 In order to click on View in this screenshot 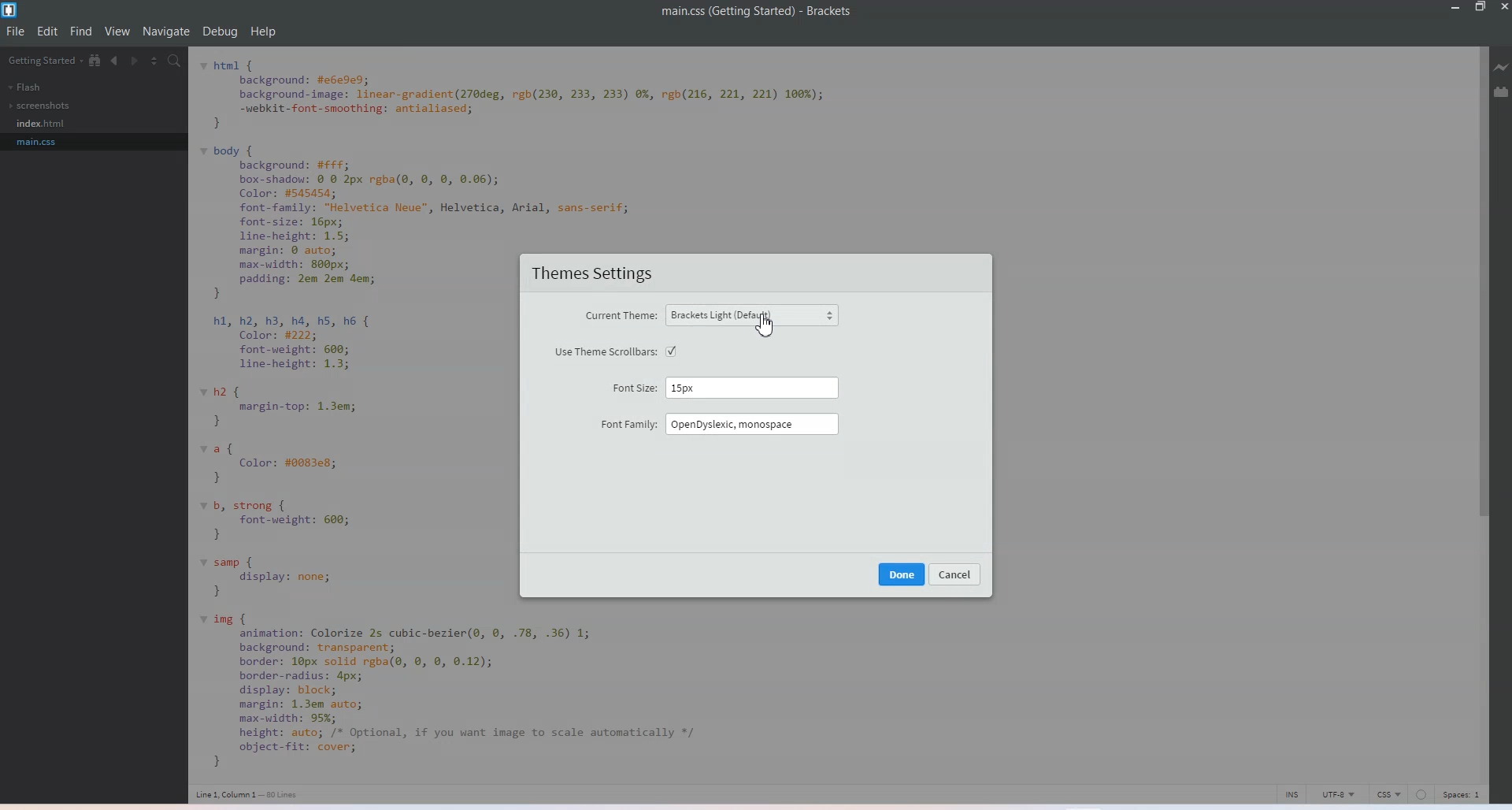, I will do `click(117, 31)`.